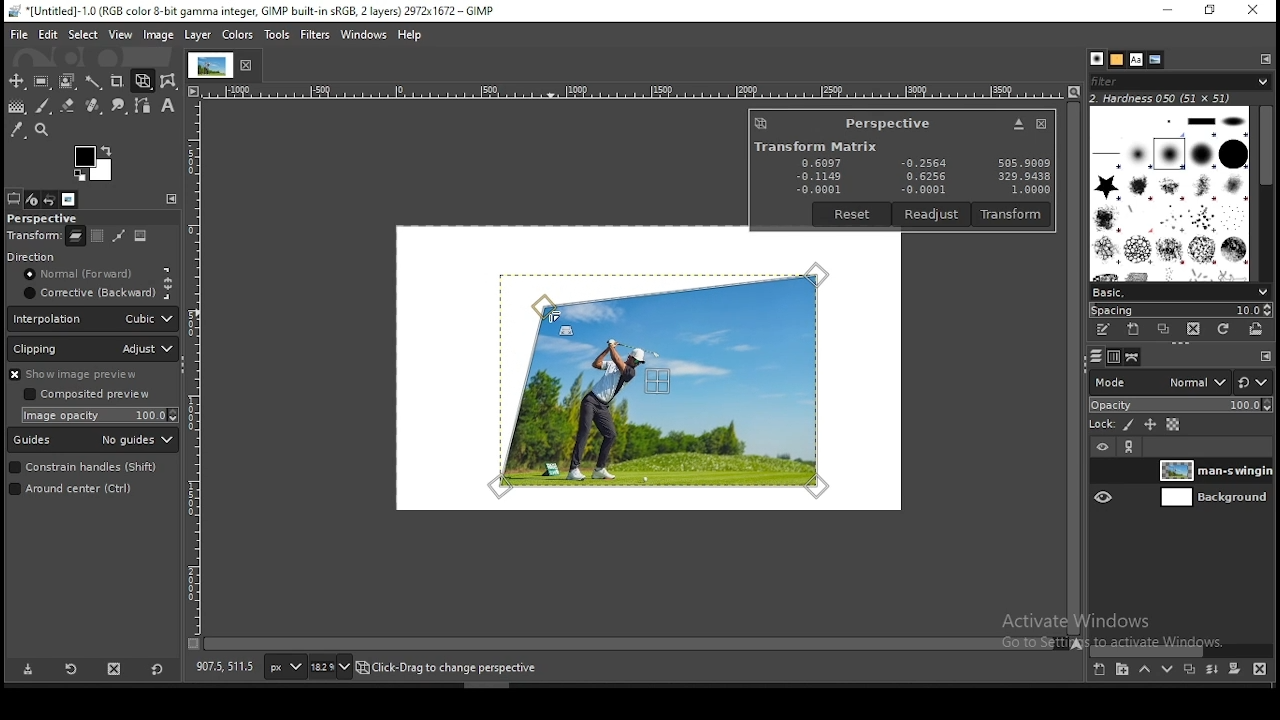 The width and height of the screenshot is (1280, 720). What do you see at coordinates (1095, 59) in the screenshot?
I see `brushes` at bounding box center [1095, 59].